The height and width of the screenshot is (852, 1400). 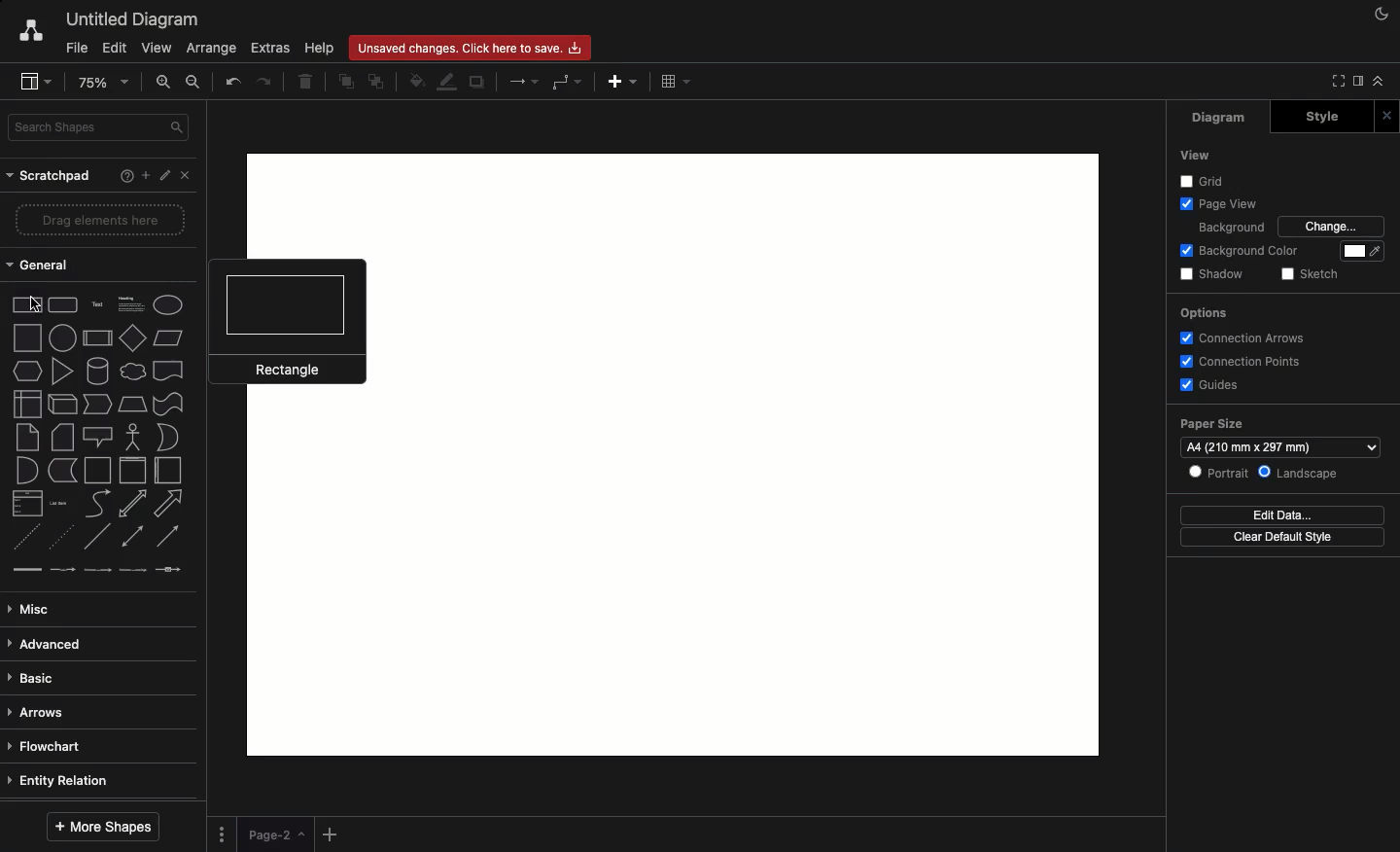 I want to click on Add, so click(x=332, y=834).